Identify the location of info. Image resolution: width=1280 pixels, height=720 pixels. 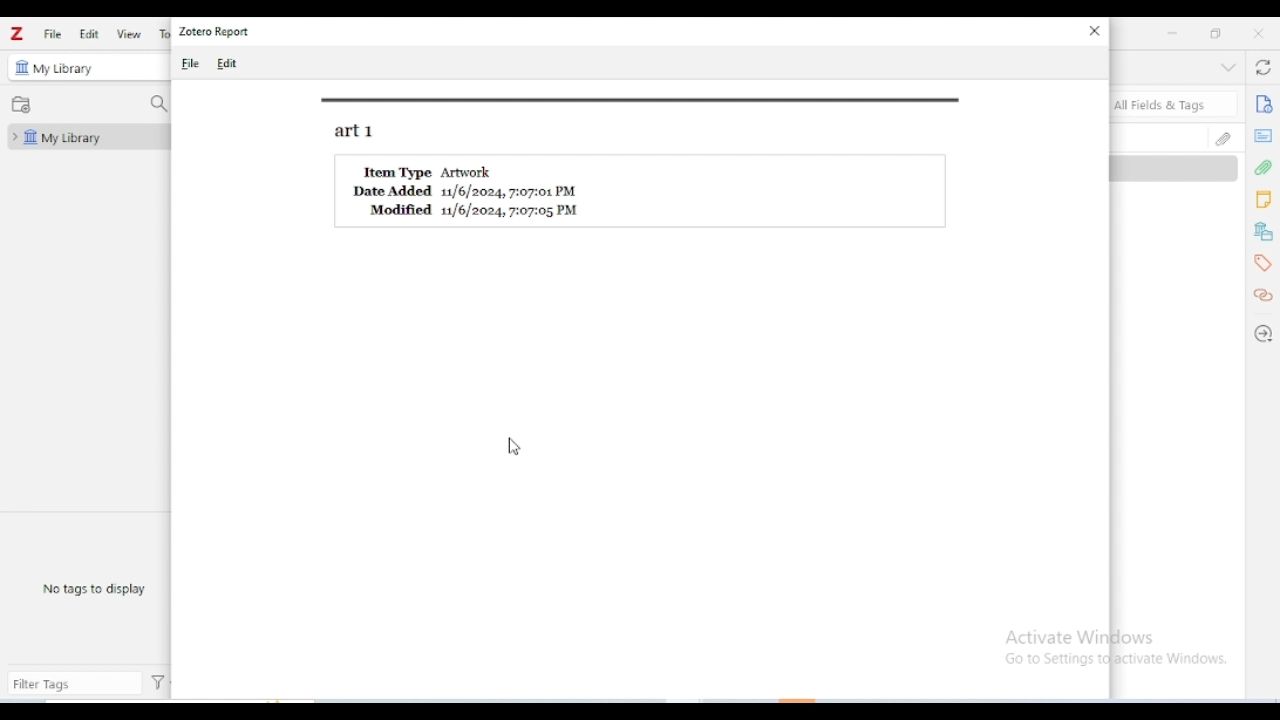
(1264, 104).